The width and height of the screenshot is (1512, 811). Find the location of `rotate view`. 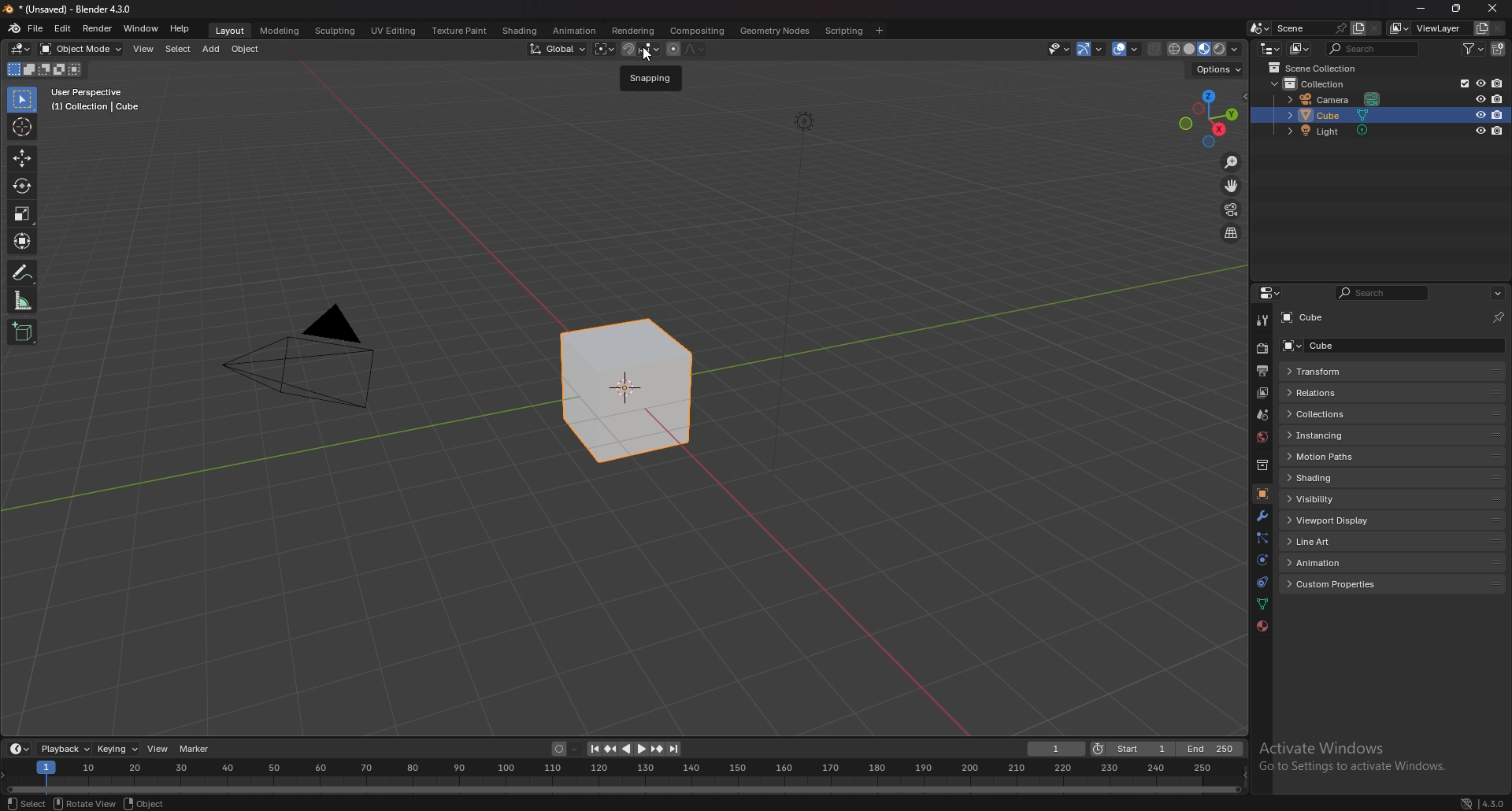

rotate view is located at coordinates (83, 802).